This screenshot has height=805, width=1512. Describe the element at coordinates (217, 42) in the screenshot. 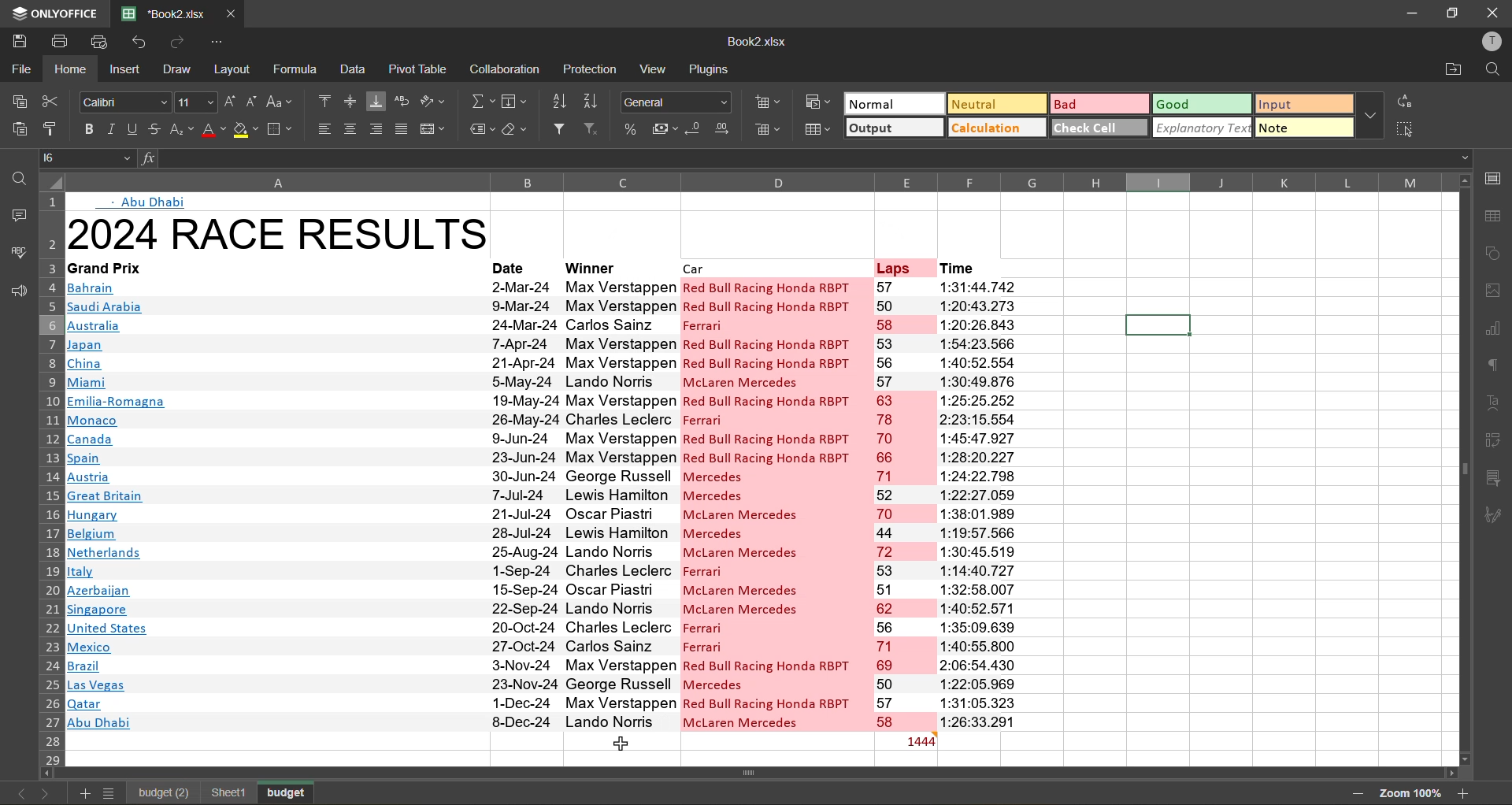

I see `customize quick access toolbar` at that location.